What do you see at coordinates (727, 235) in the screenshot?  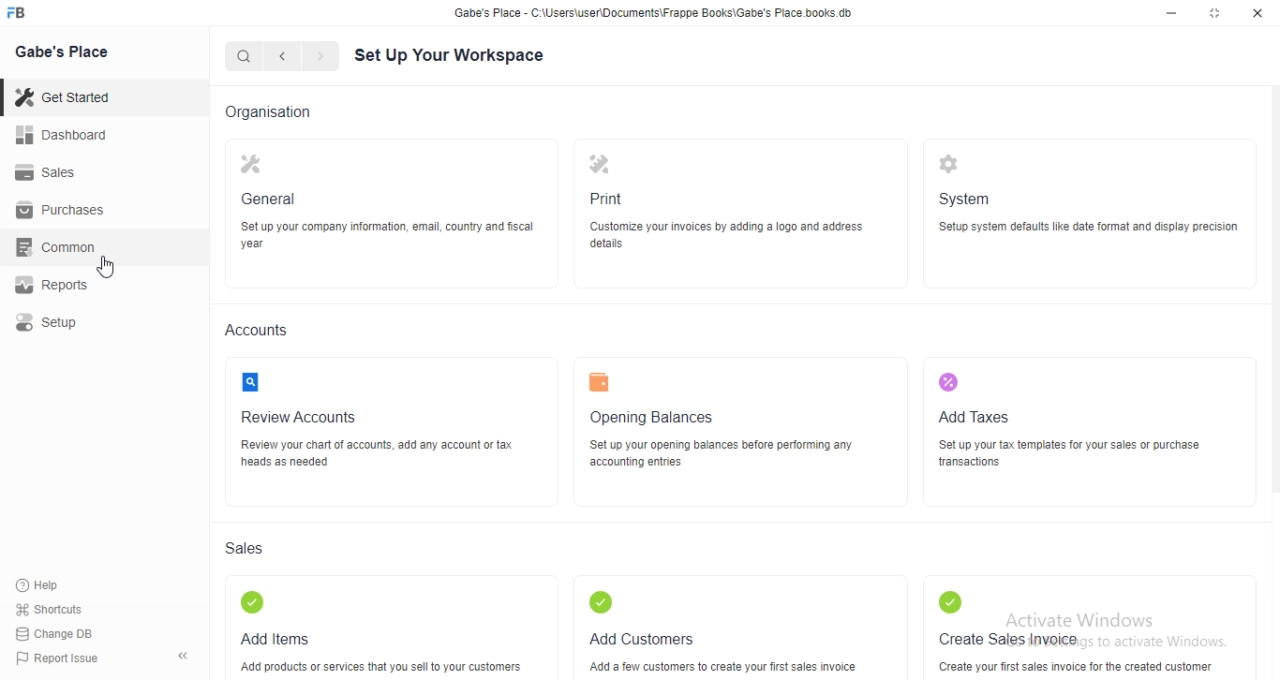 I see `‘Customeze your invoices by adding a logo and address detaits` at bounding box center [727, 235].